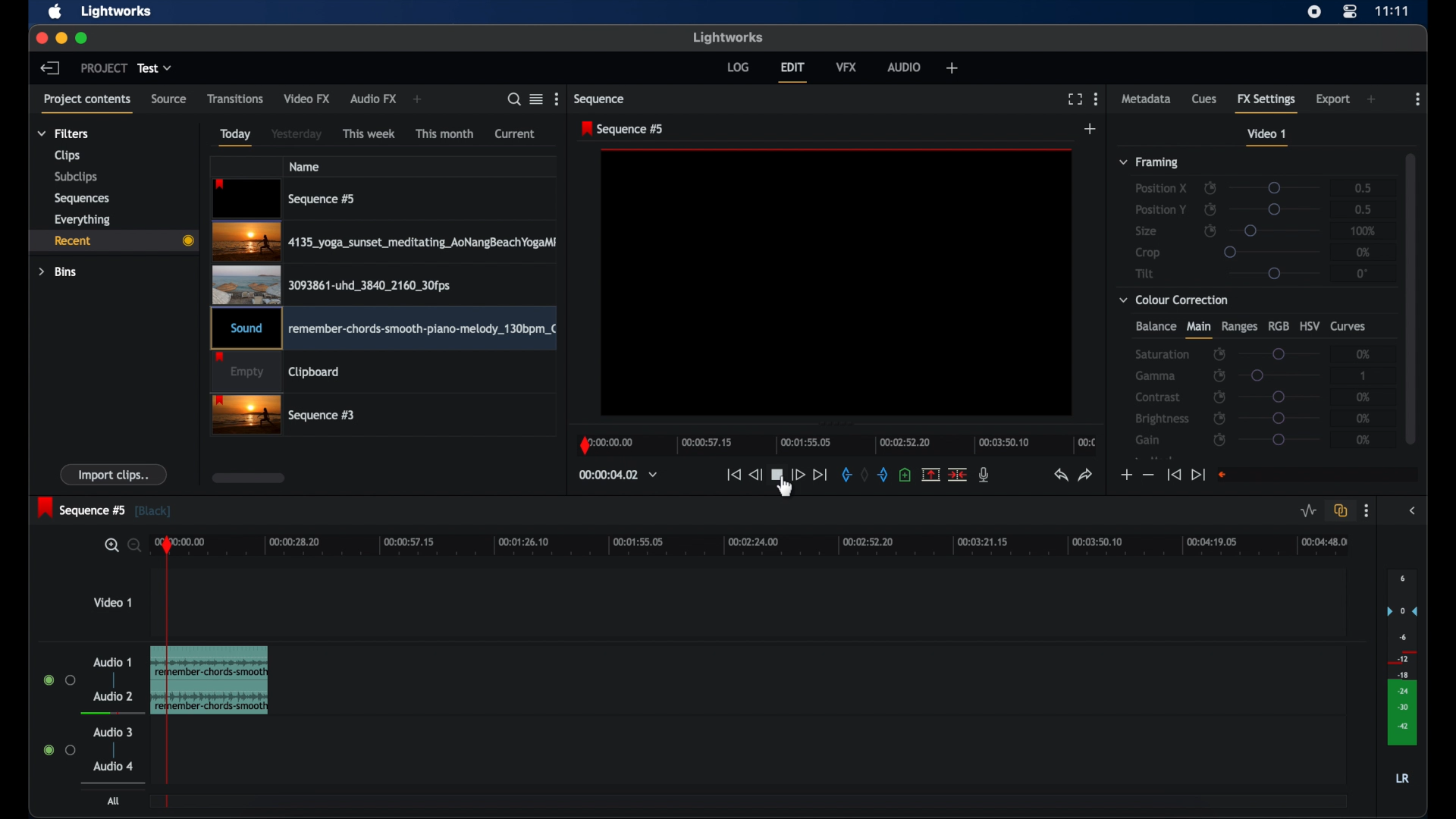 The width and height of the screenshot is (1456, 819). I want to click on gamma, so click(1156, 376).